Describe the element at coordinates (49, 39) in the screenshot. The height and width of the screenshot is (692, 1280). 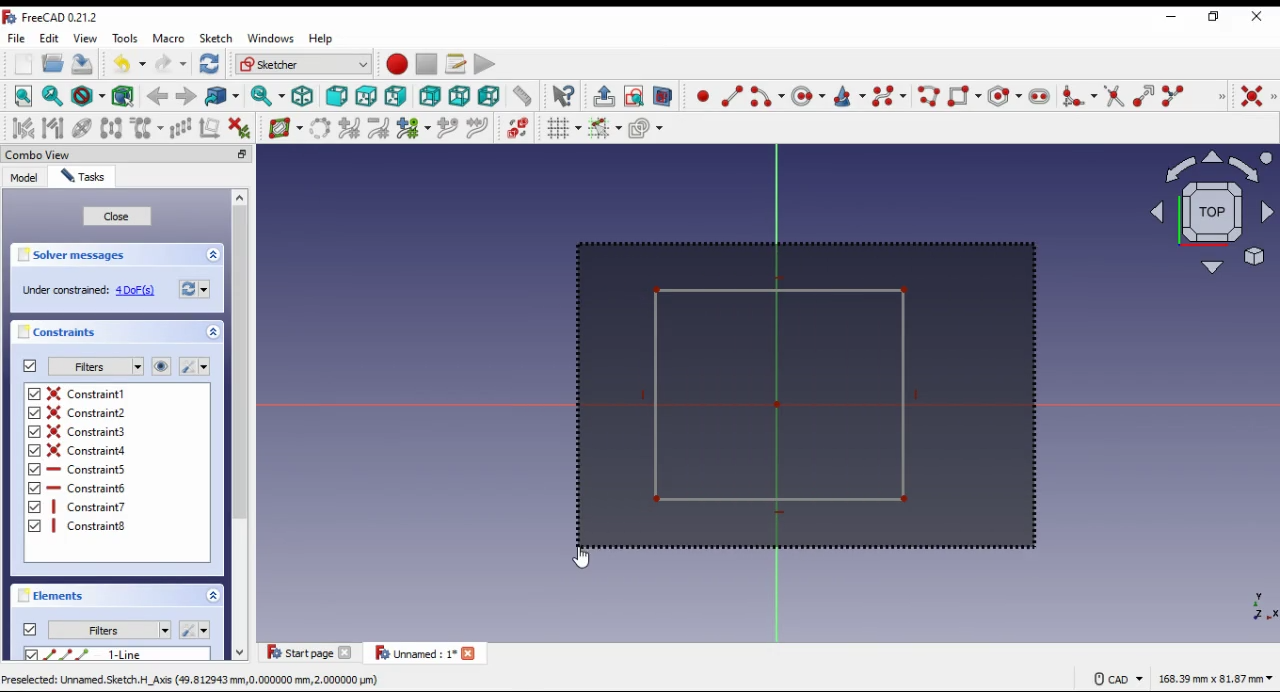
I see `edit` at that location.